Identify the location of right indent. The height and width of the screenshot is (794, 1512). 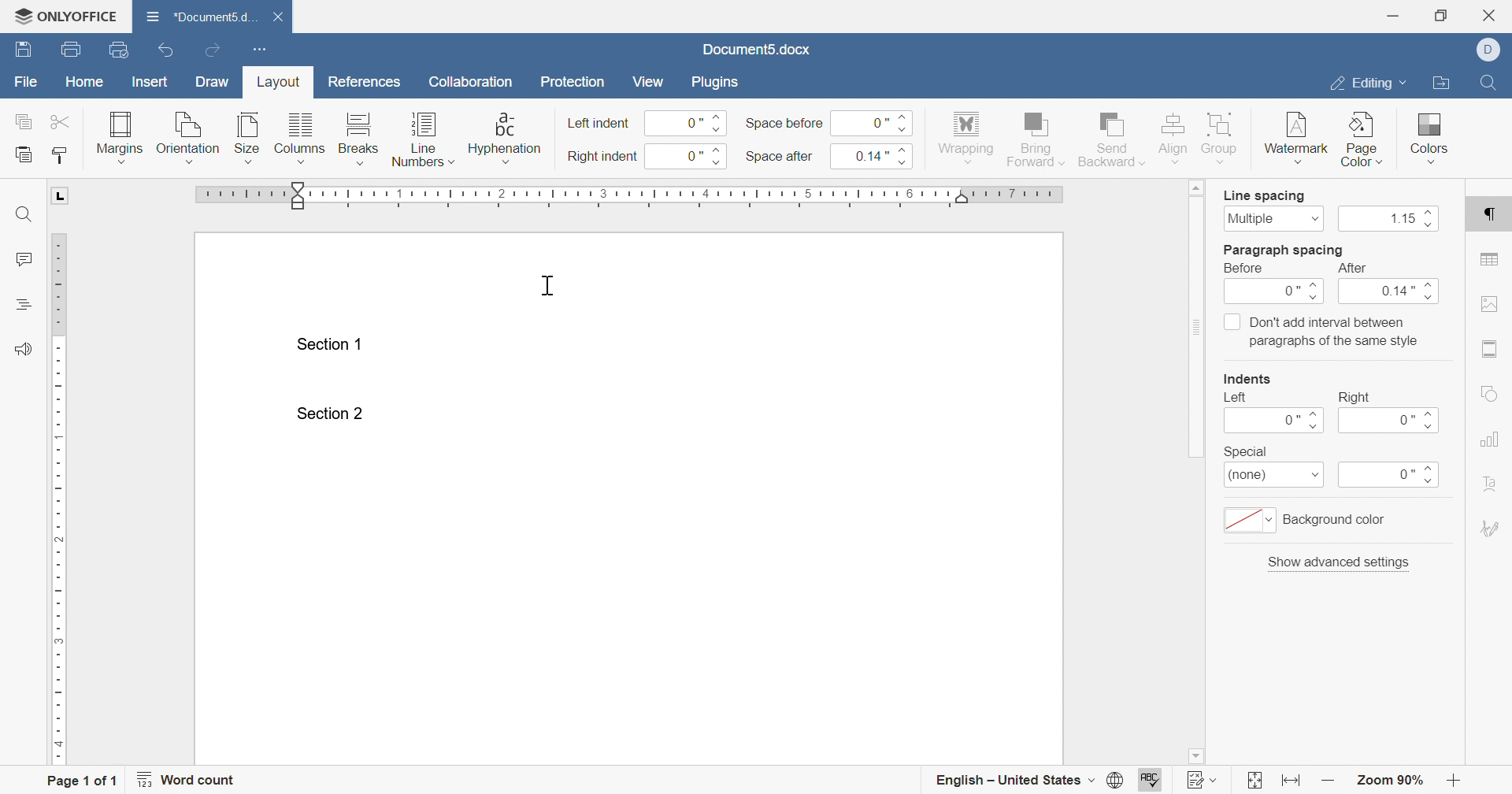
(603, 157).